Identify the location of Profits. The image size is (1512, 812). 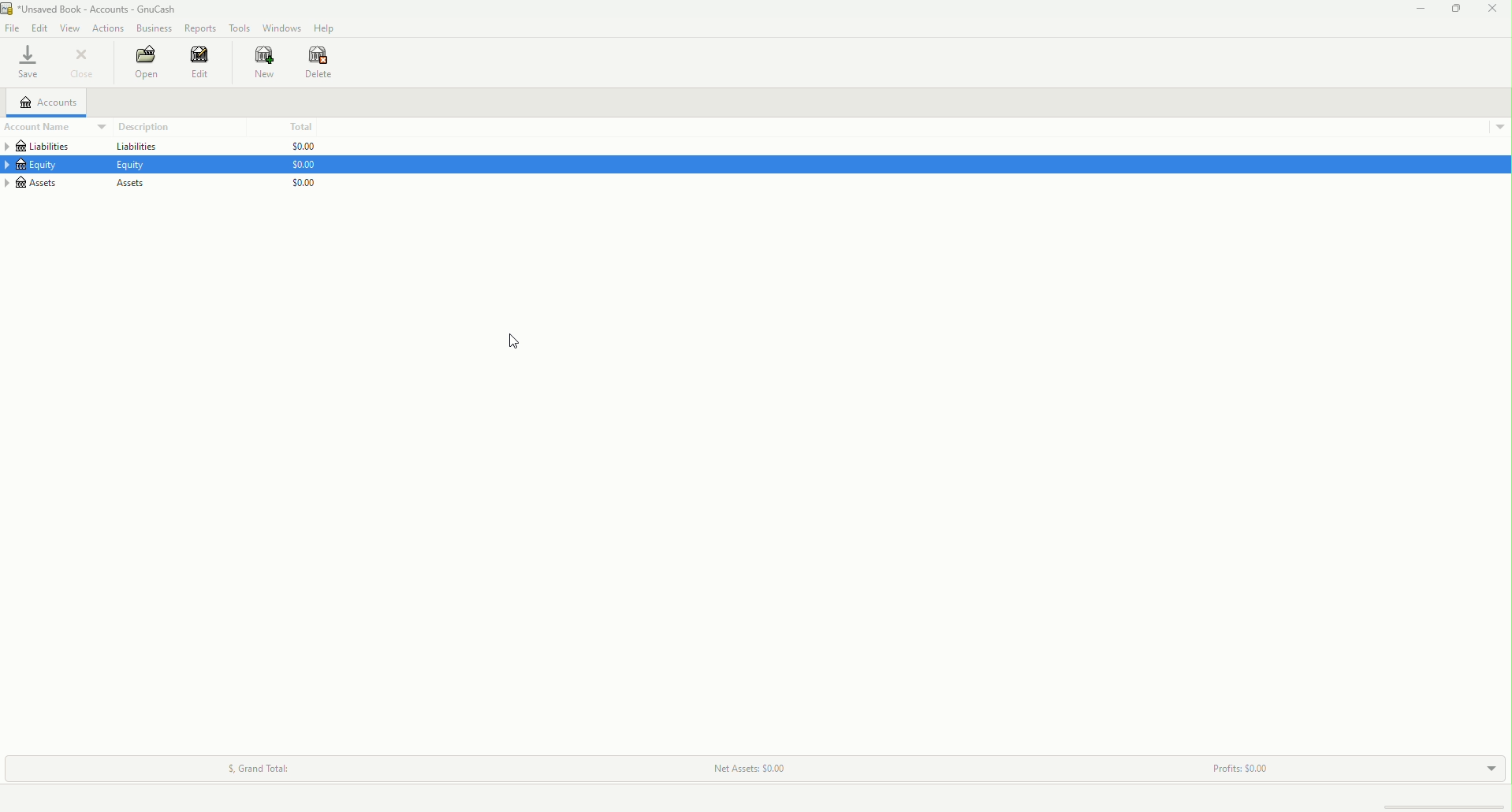
(1240, 765).